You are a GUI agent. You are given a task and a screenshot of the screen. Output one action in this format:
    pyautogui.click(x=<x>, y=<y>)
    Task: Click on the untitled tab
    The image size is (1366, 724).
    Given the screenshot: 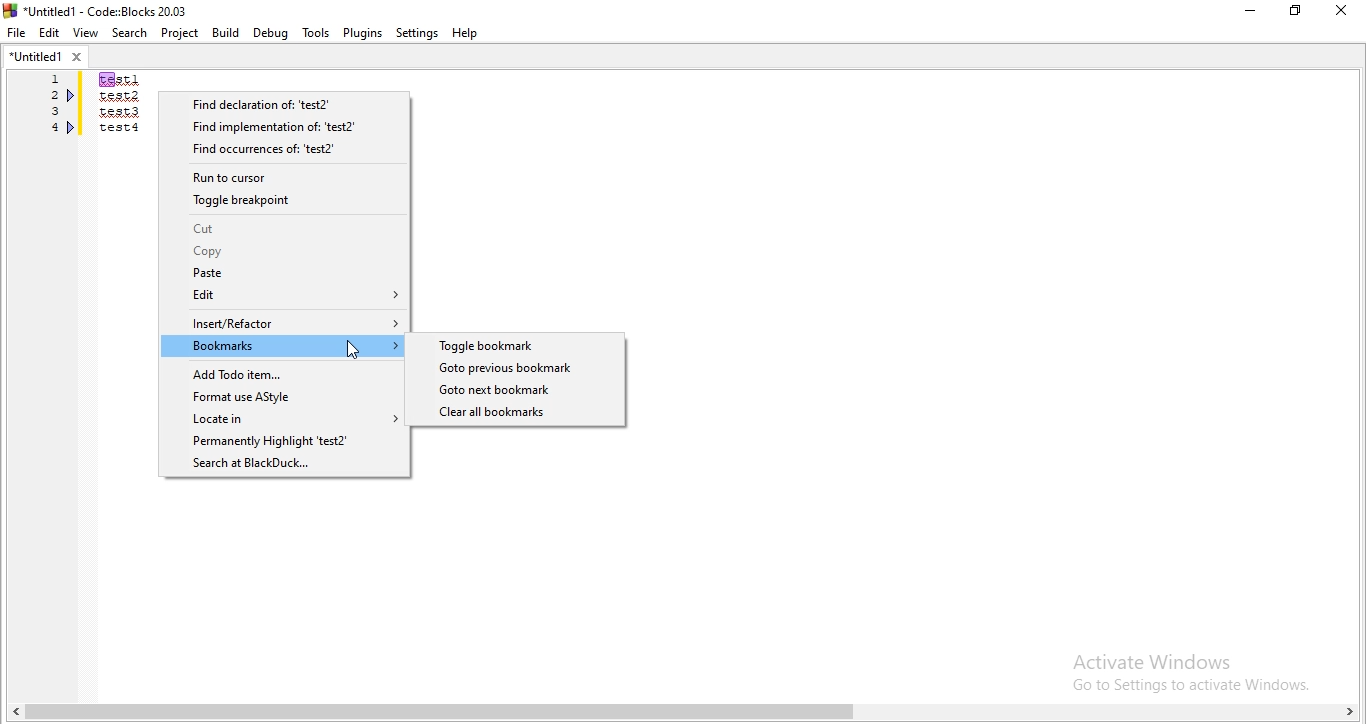 What is the action you would take?
    pyautogui.click(x=45, y=58)
    